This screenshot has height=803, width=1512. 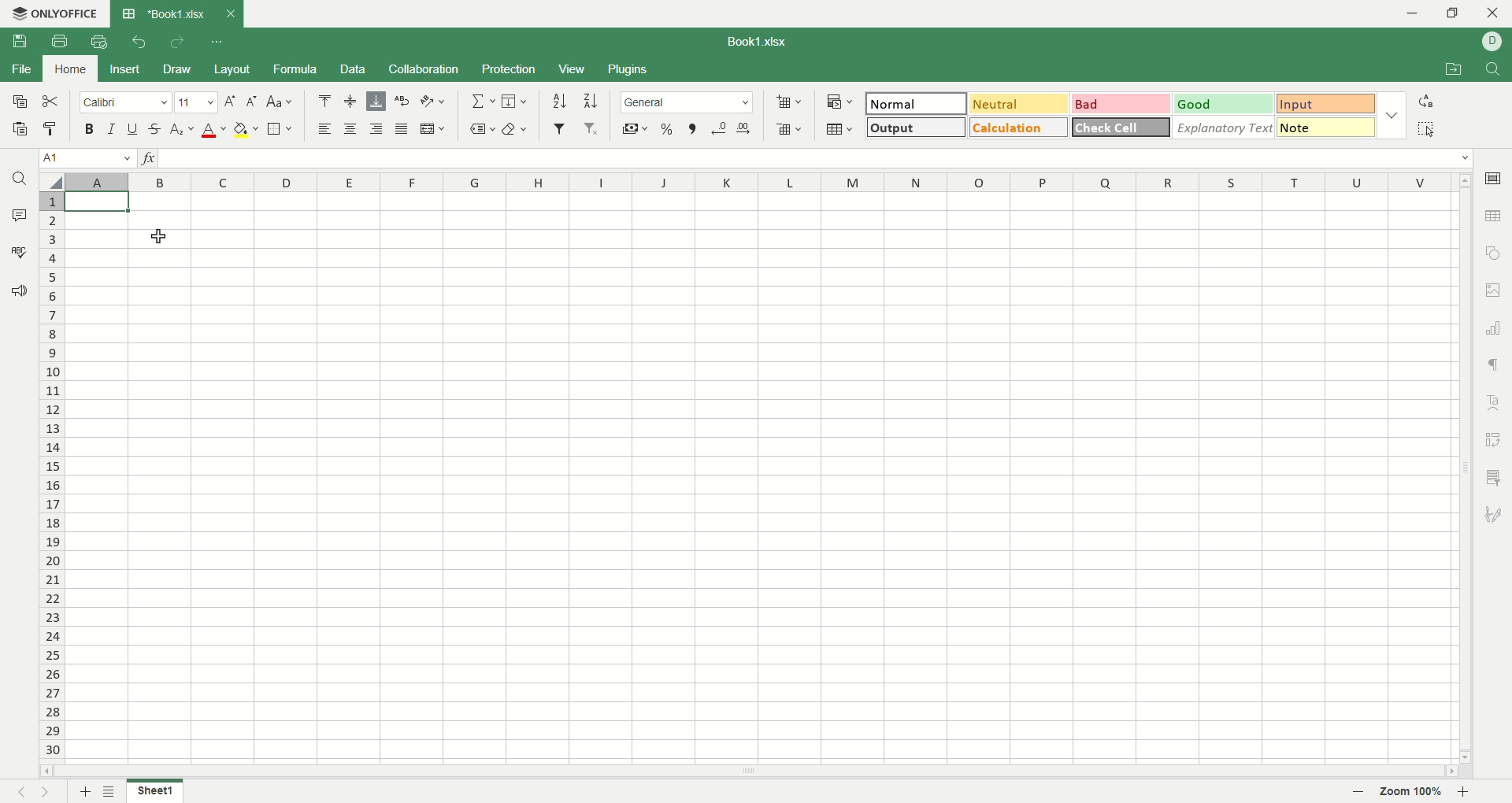 I want to click on output, so click(x=917, y=126).